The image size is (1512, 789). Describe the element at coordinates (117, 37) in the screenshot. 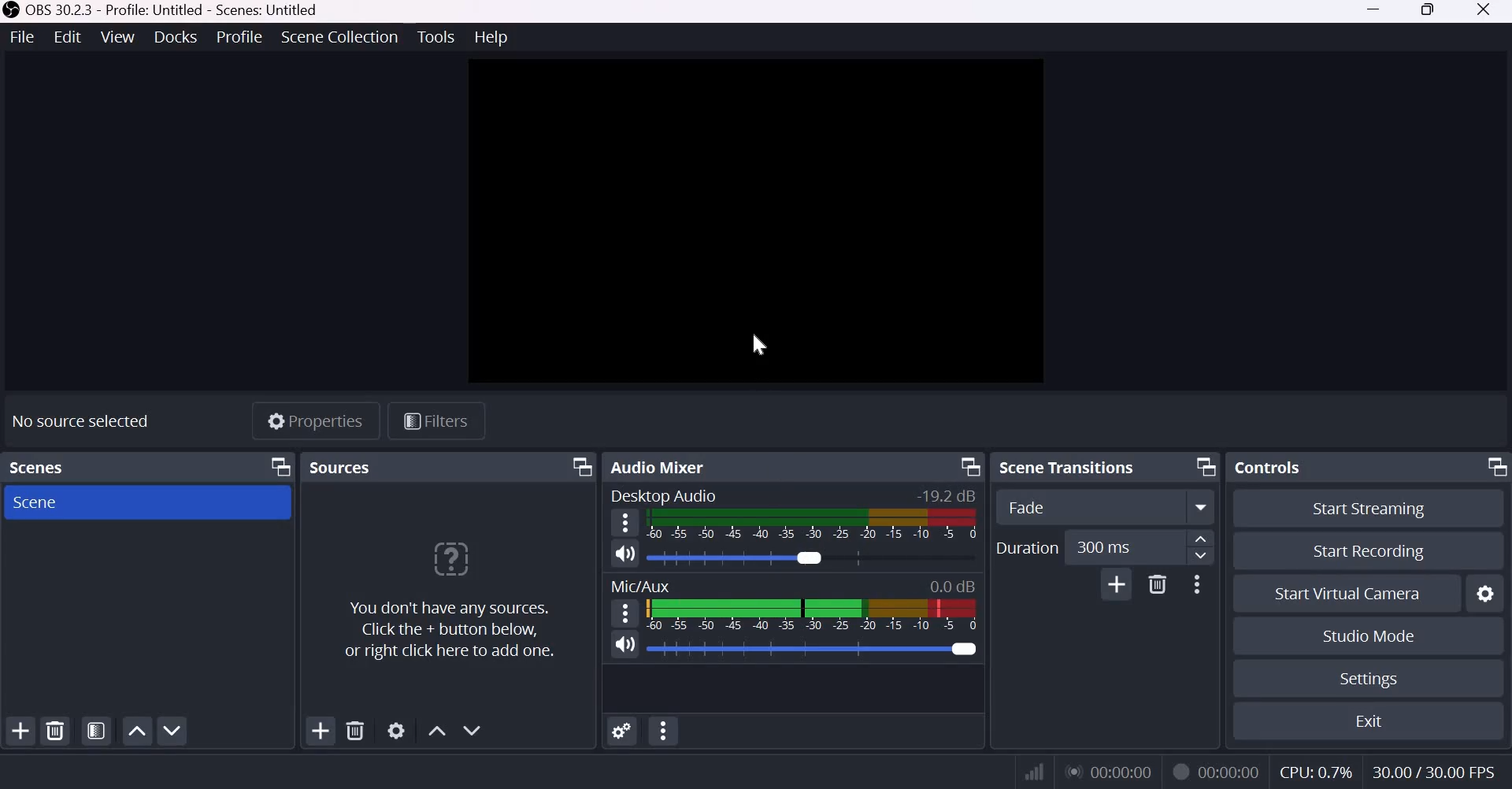

I see `View` at that location.